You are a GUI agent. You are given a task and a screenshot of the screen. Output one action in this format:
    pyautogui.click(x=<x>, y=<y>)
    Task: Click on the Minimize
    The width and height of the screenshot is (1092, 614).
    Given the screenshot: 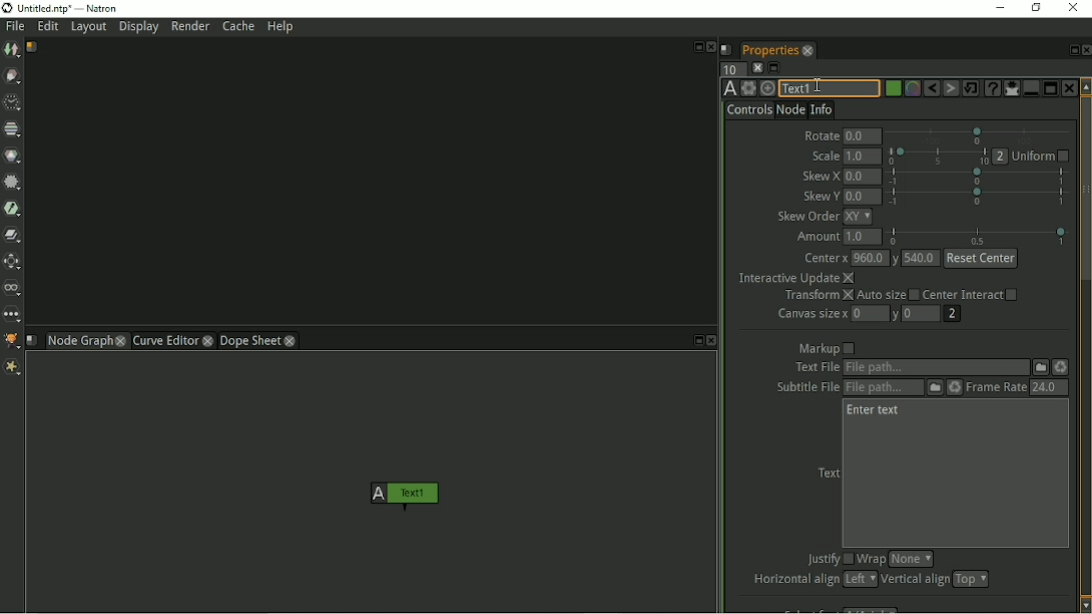 What is the action you would take?
    pyautogui.click(x=1029, y=88)
    